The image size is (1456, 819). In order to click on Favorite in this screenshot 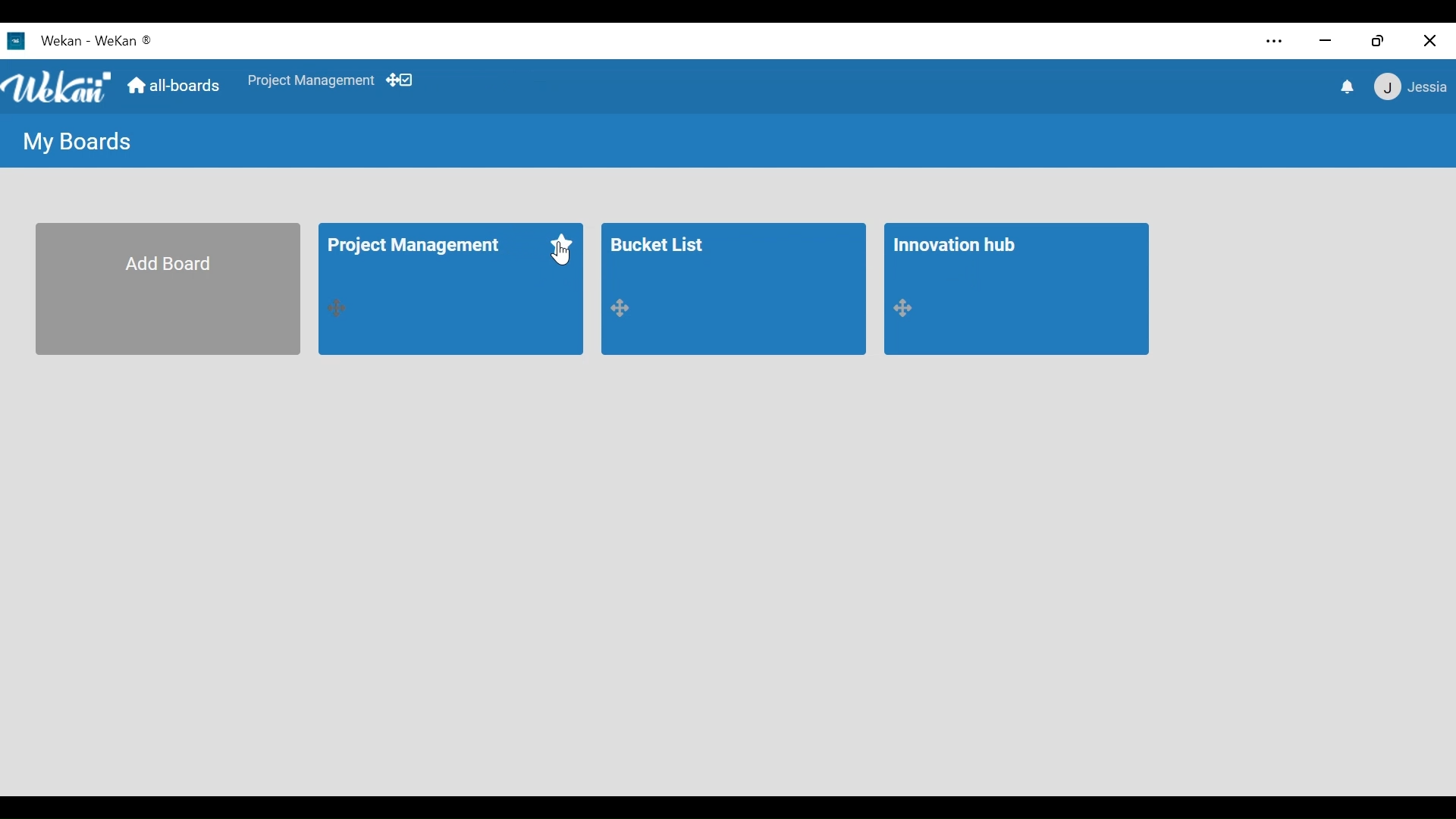, I will do `click(311, 80)`.